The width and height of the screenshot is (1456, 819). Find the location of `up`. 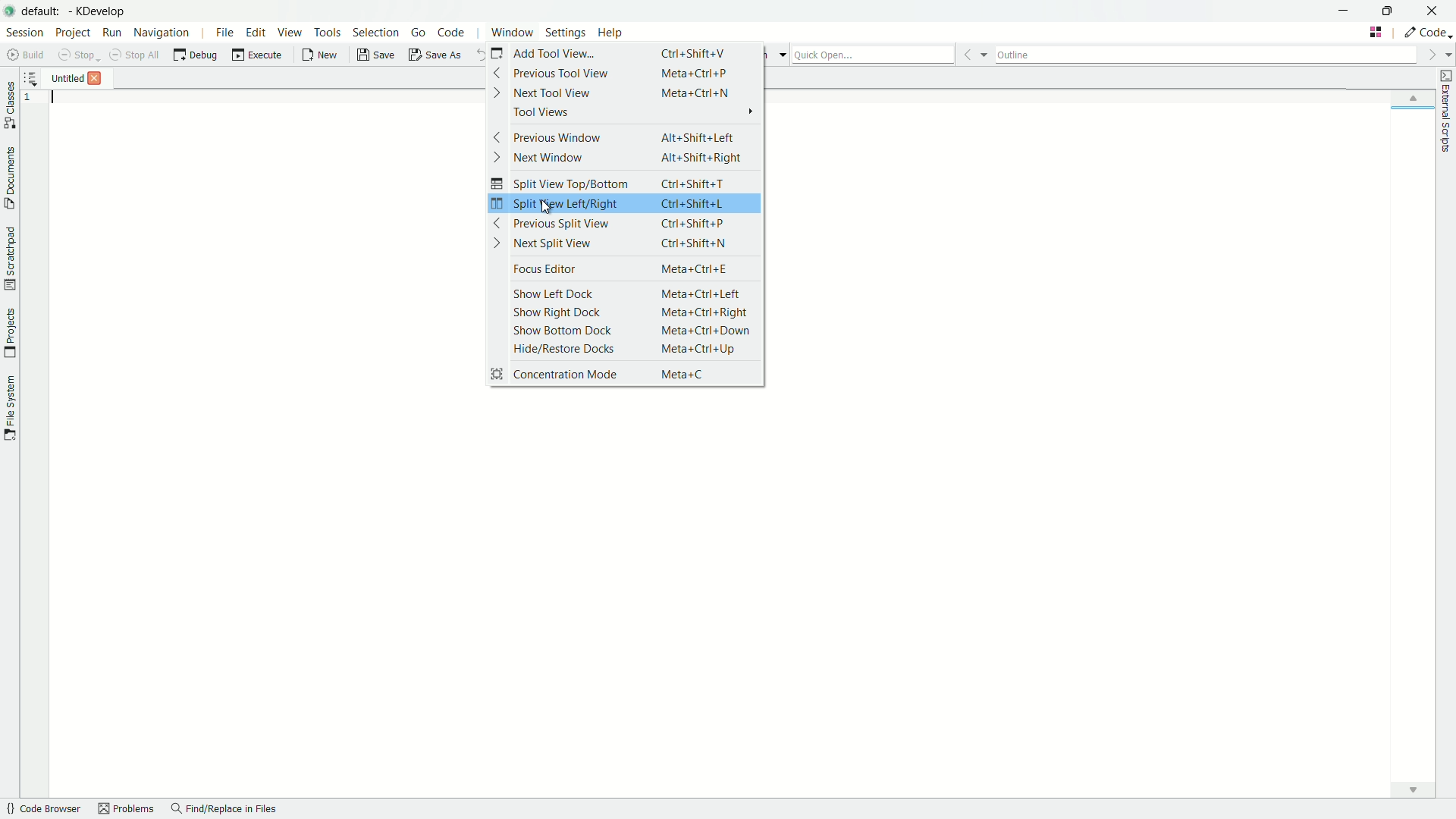

up is located at coordinates (1409, 101).